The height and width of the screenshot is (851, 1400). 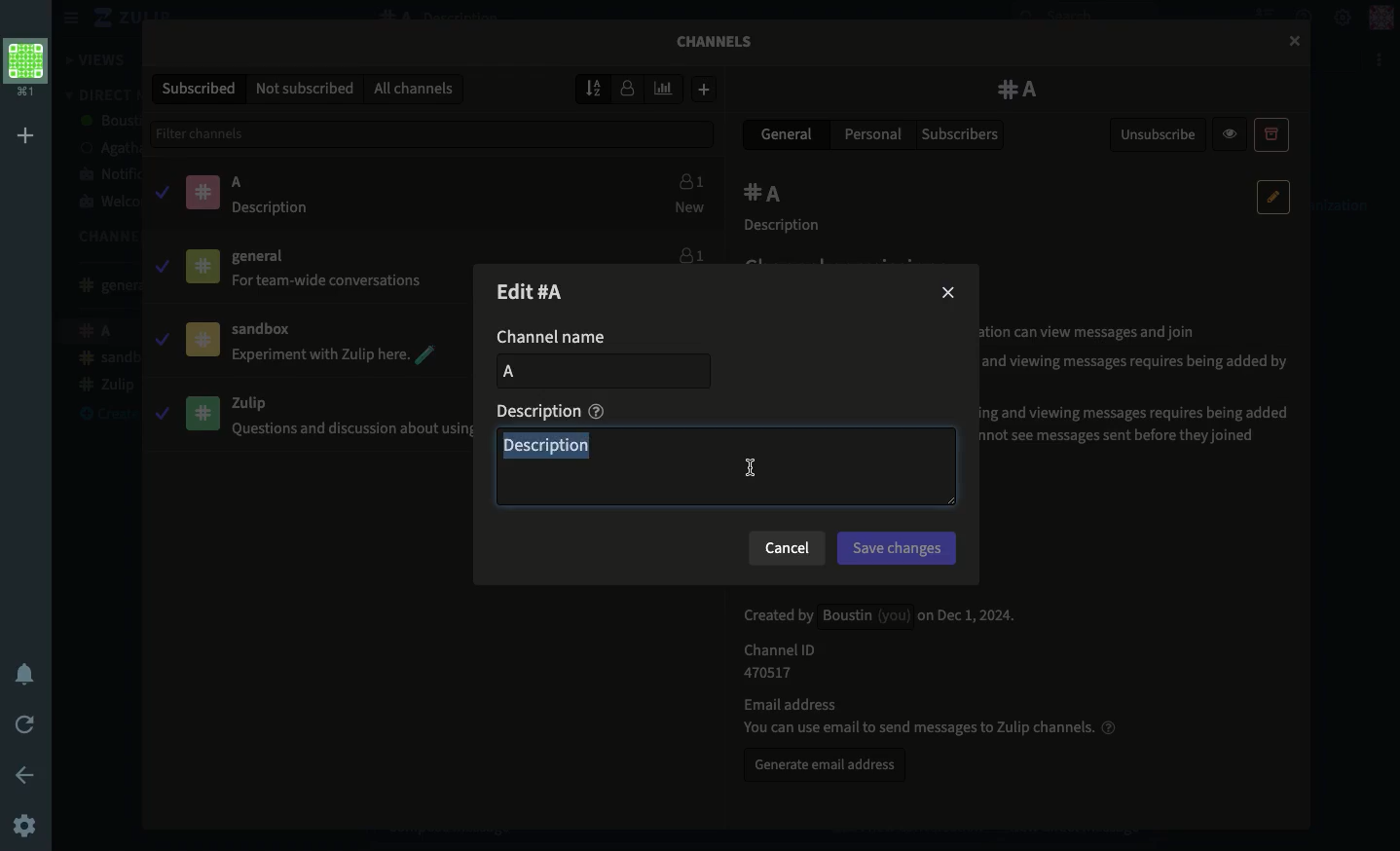 What do you see at coordinates (109, 122) in the screenshot?
I see `boustin` at bounding box center [109, 122].